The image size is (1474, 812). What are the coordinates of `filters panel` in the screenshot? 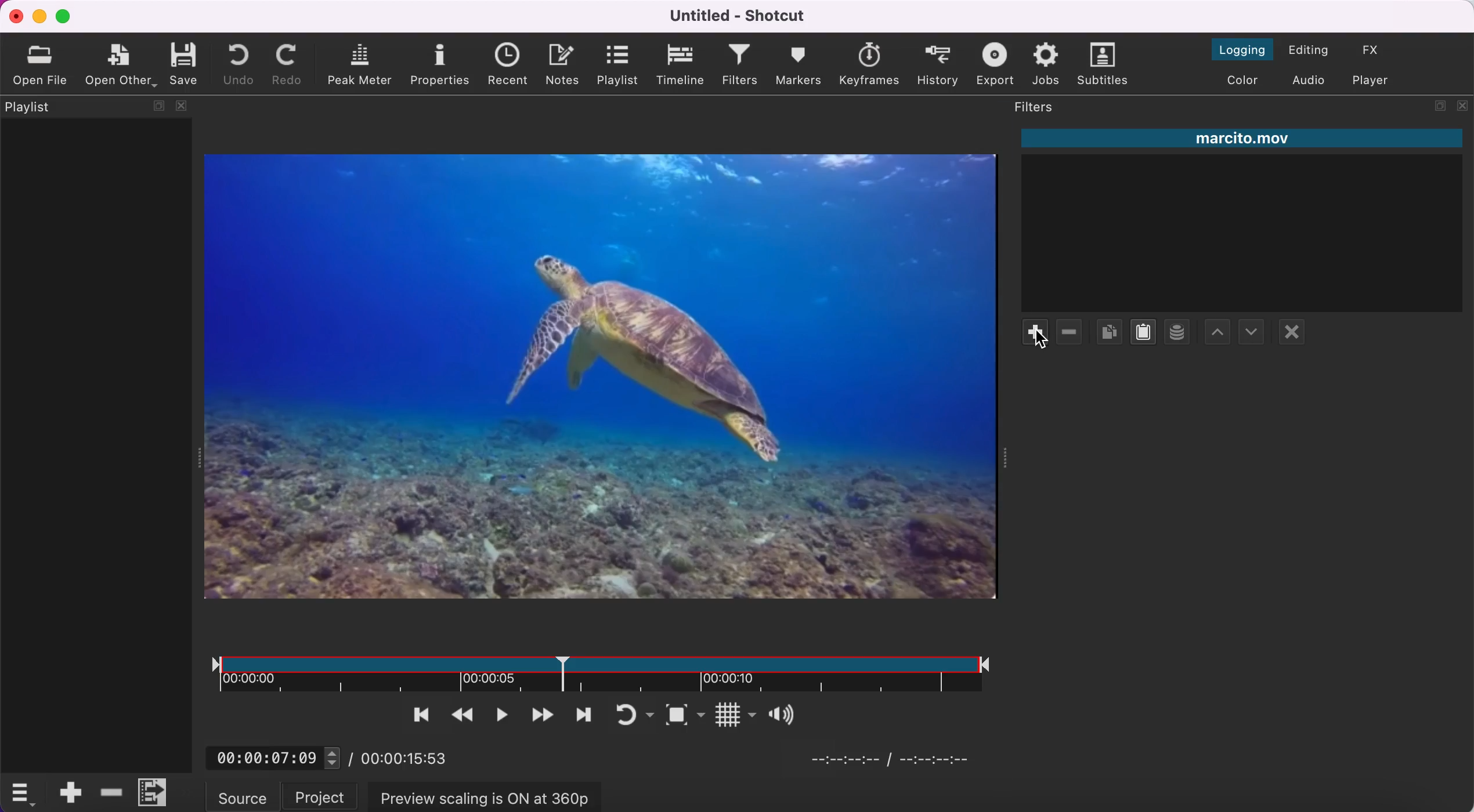 It's located at (1045, 108).